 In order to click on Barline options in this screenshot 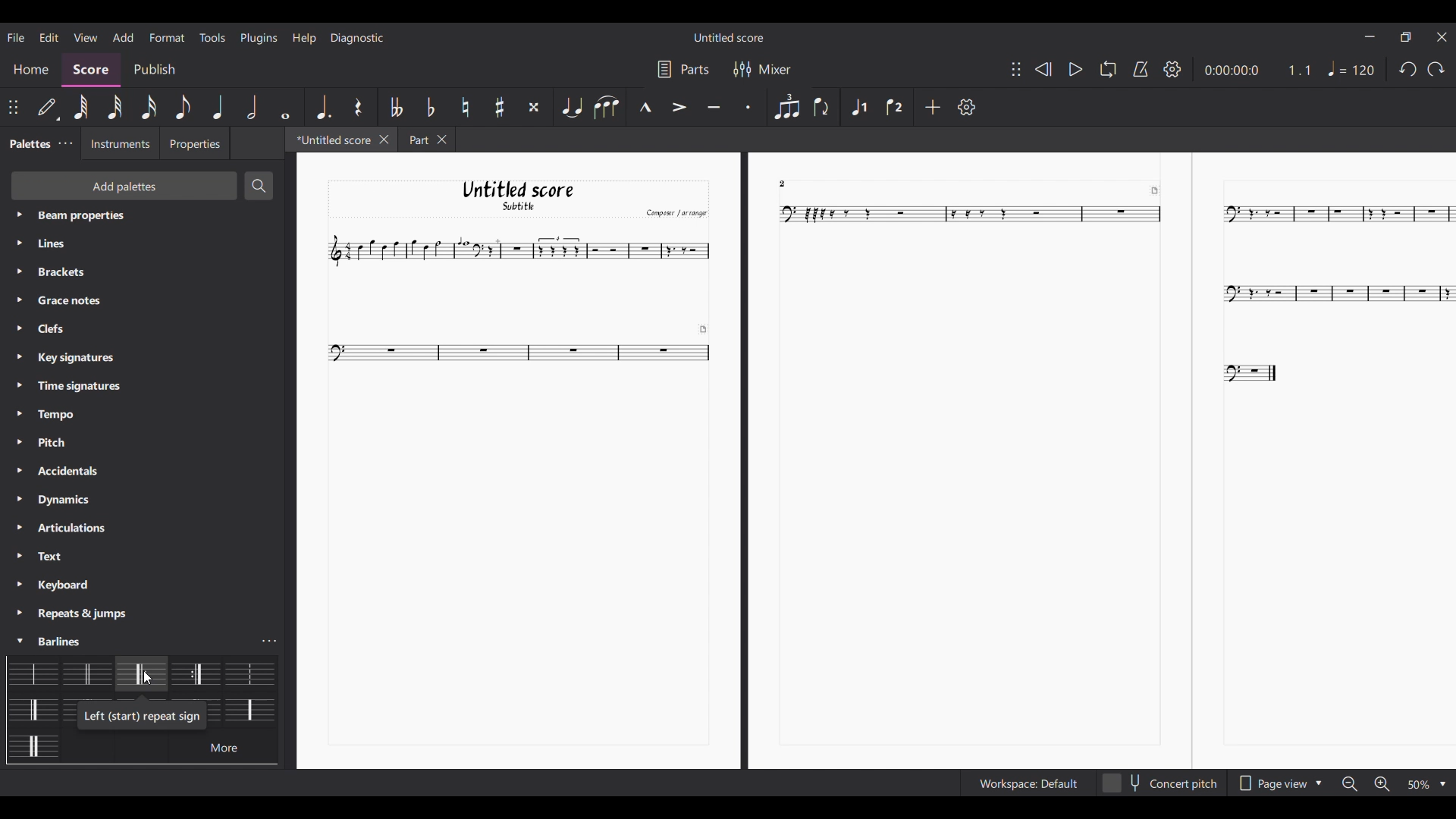, I will do `click(87, 673)`.